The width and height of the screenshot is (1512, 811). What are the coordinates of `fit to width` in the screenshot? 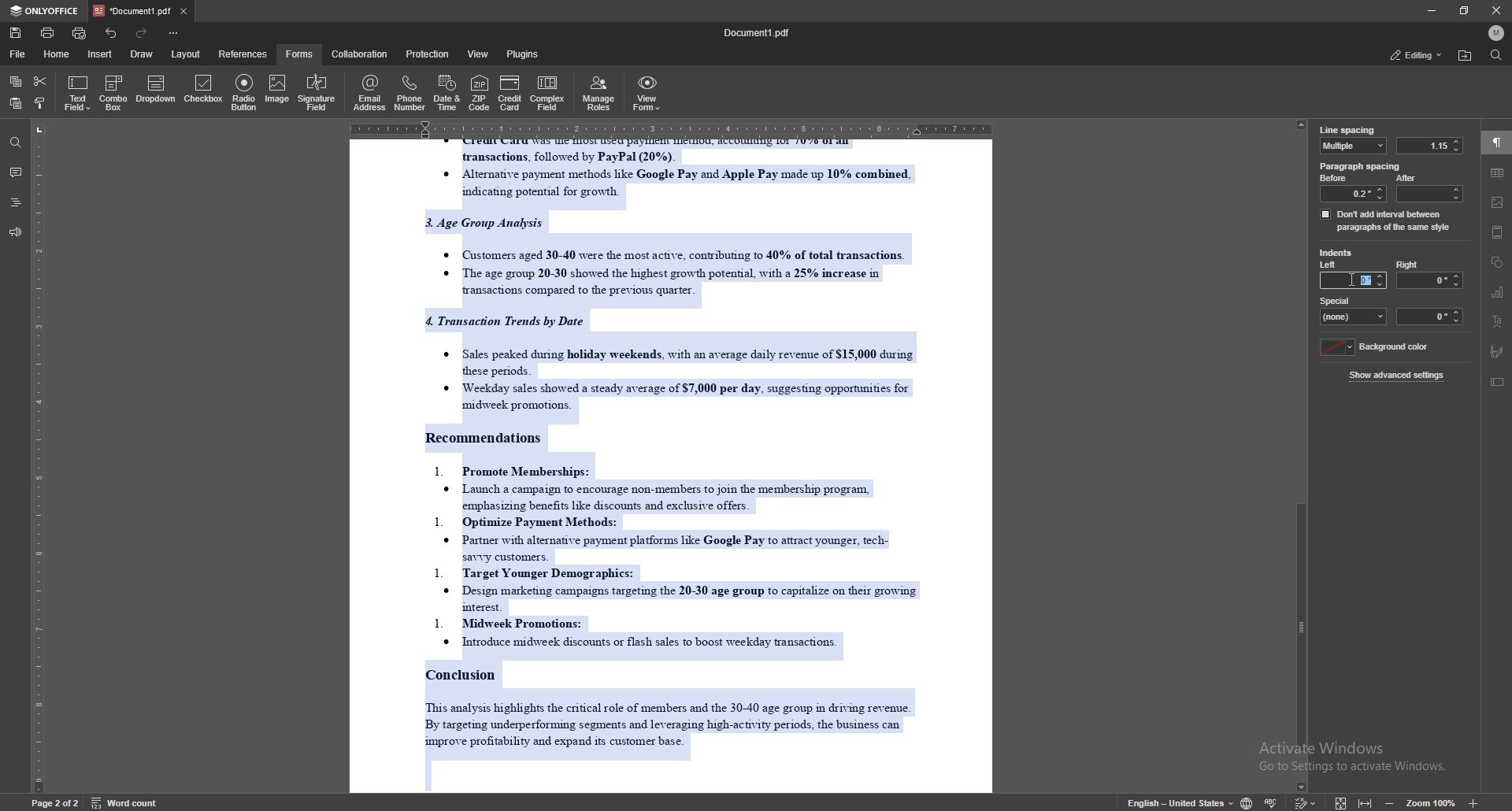 It's located at (1366, 799).